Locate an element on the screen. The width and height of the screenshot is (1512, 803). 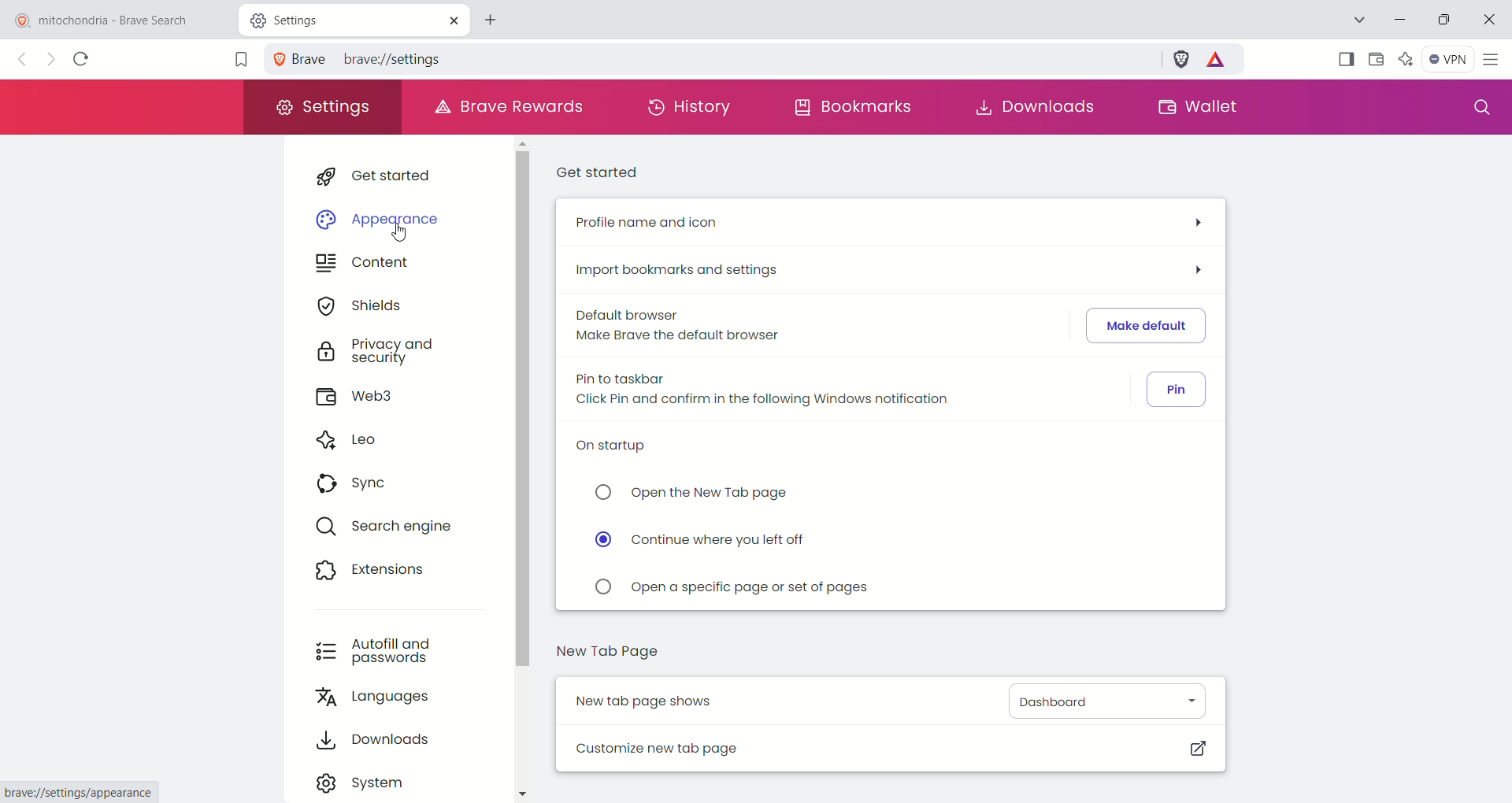
wallet is located at coordinates (1376, 59).